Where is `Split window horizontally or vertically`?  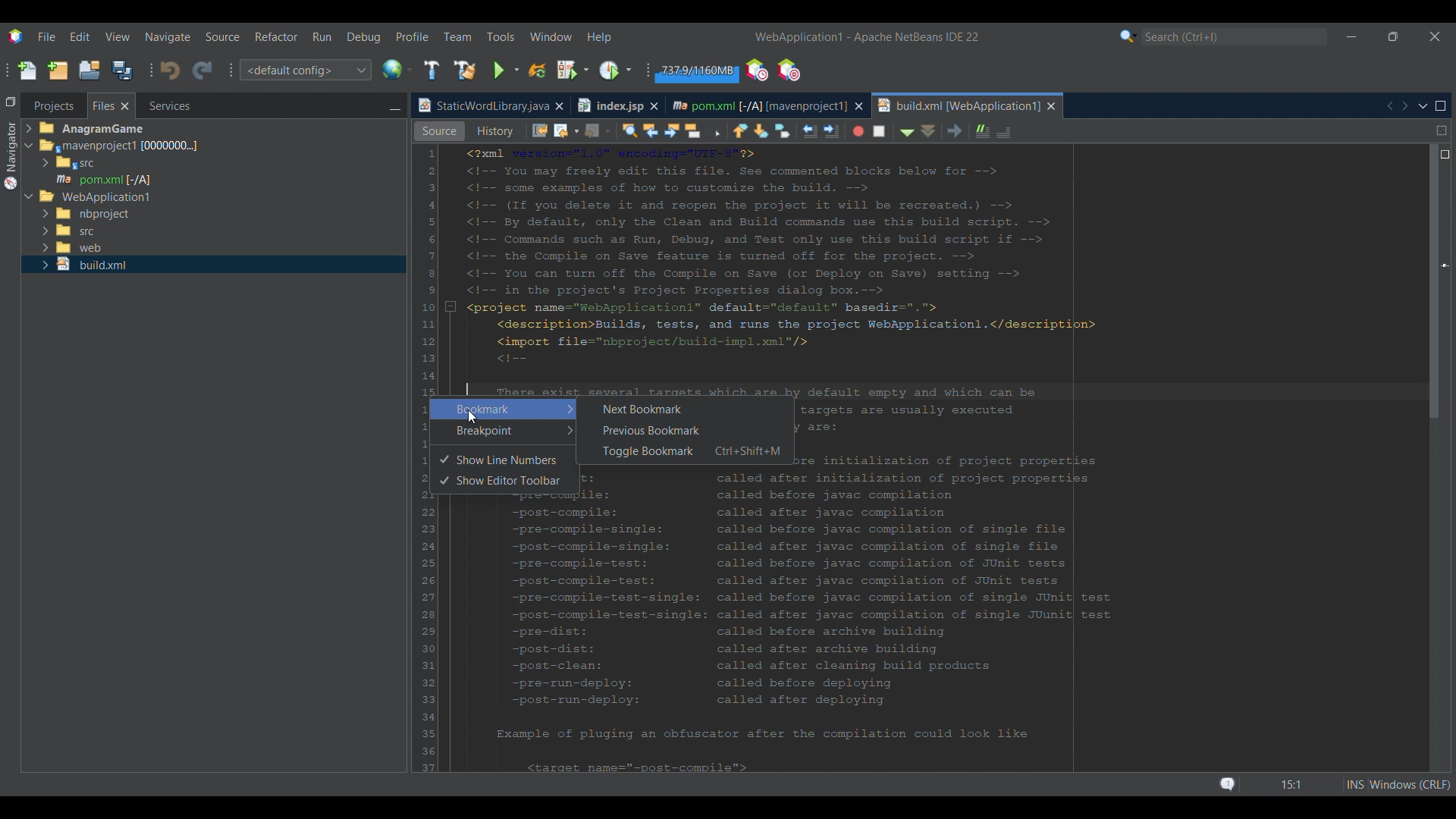 Split window horizontally or vertically is located at coordinates (1442, 130).